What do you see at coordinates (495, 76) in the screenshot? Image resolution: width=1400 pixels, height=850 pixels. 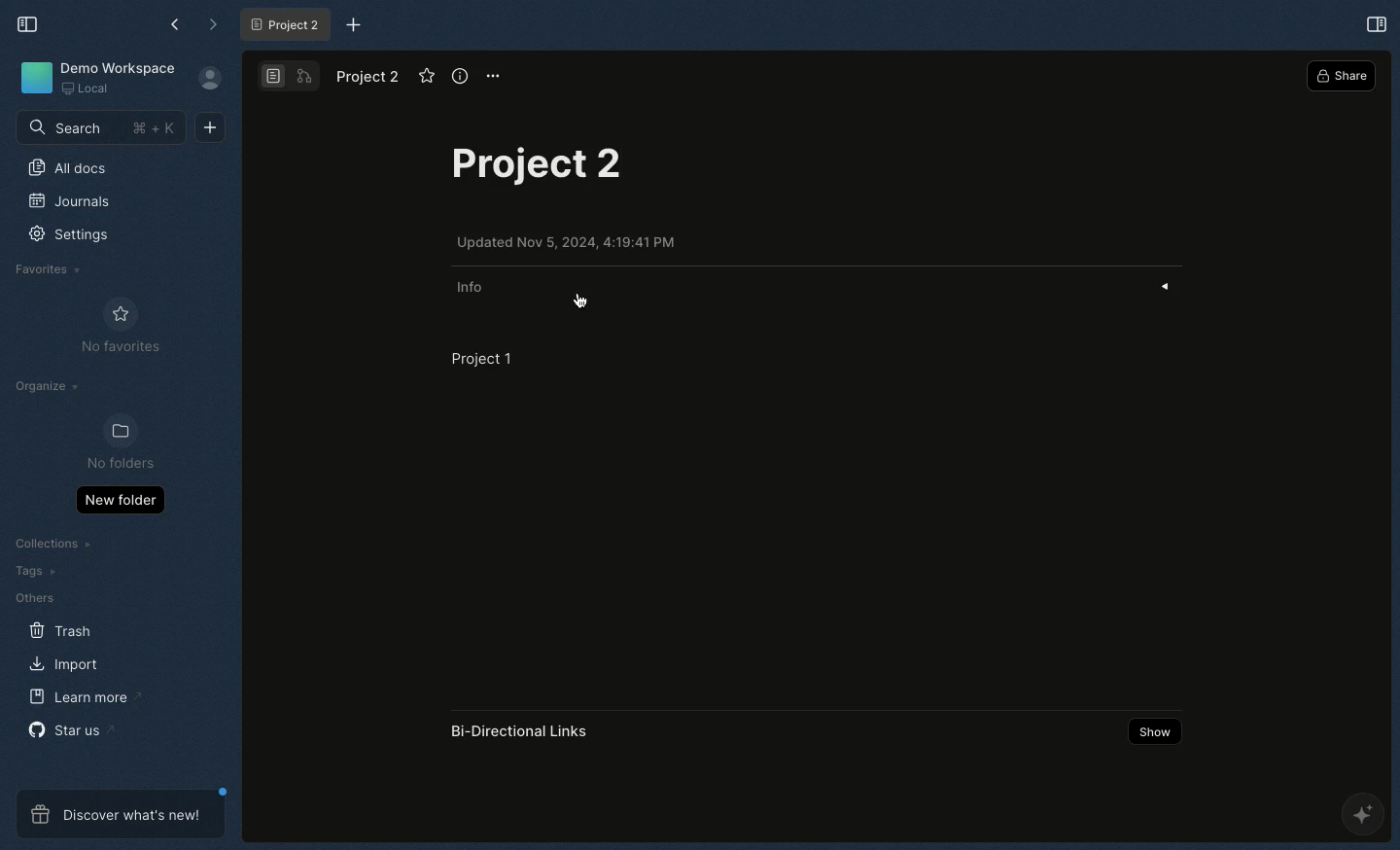 I see `Options` at bounding box center [495, 76].